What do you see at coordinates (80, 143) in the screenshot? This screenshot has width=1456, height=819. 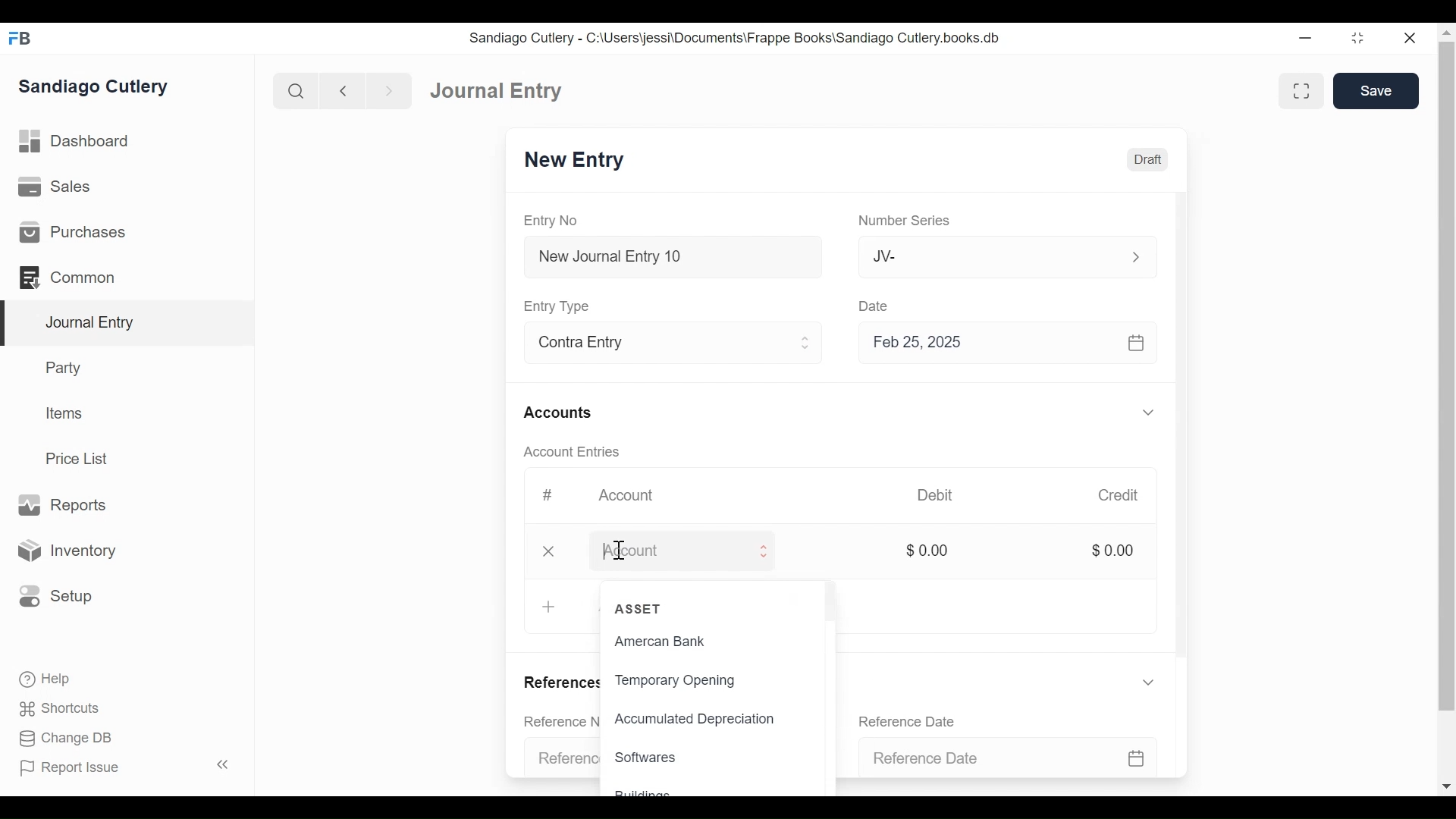 I see `Dashboard` at bounding box center [80, 143].